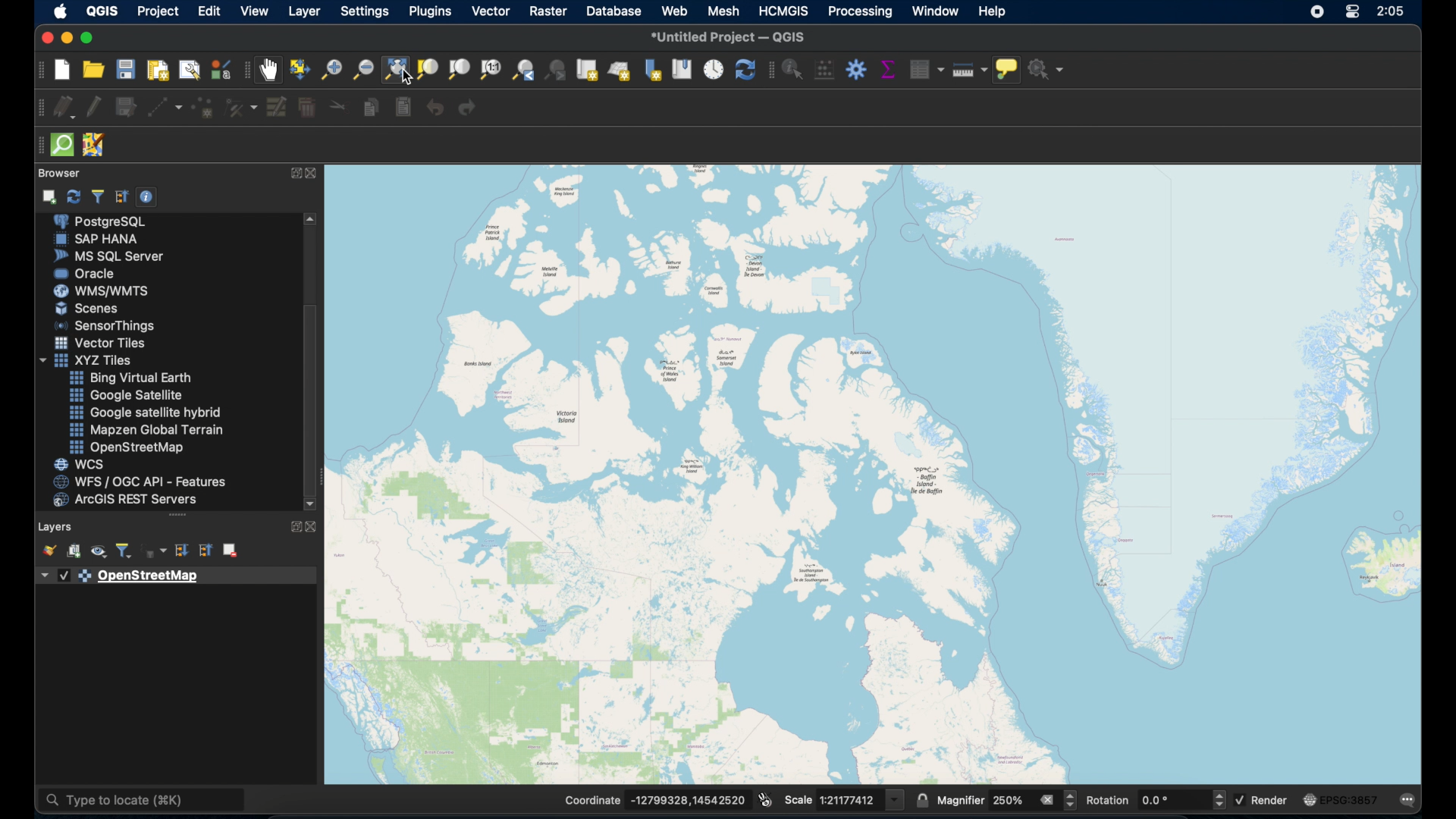 The width and height of the screenshot is (1456, 819). I want to click on ms sql server, so click(104, 256).